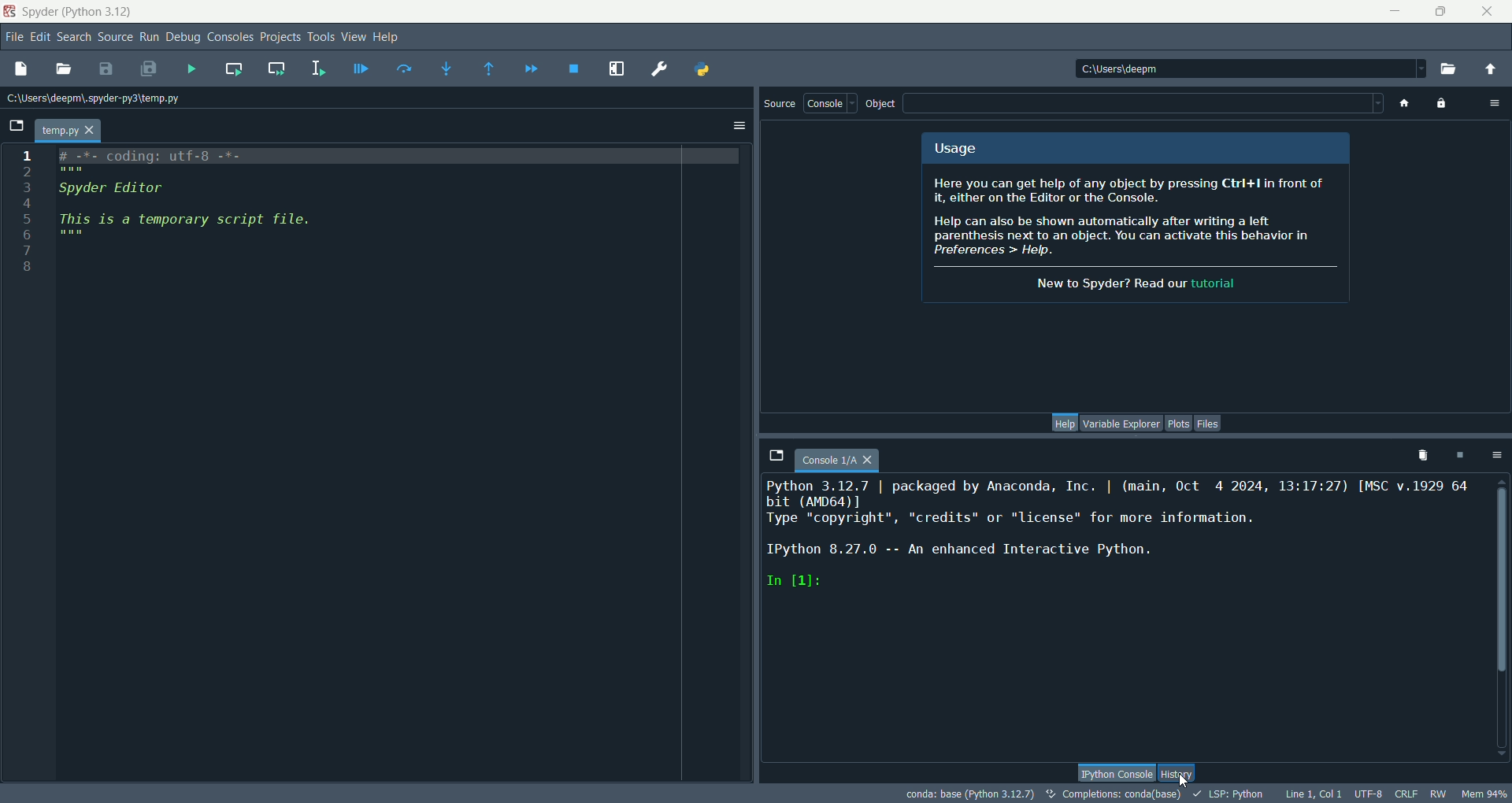 This screenshot has height=803, width=1512. Describe the element at coordinates (153, 69) in the screenshot. I see `save all files` at that location.